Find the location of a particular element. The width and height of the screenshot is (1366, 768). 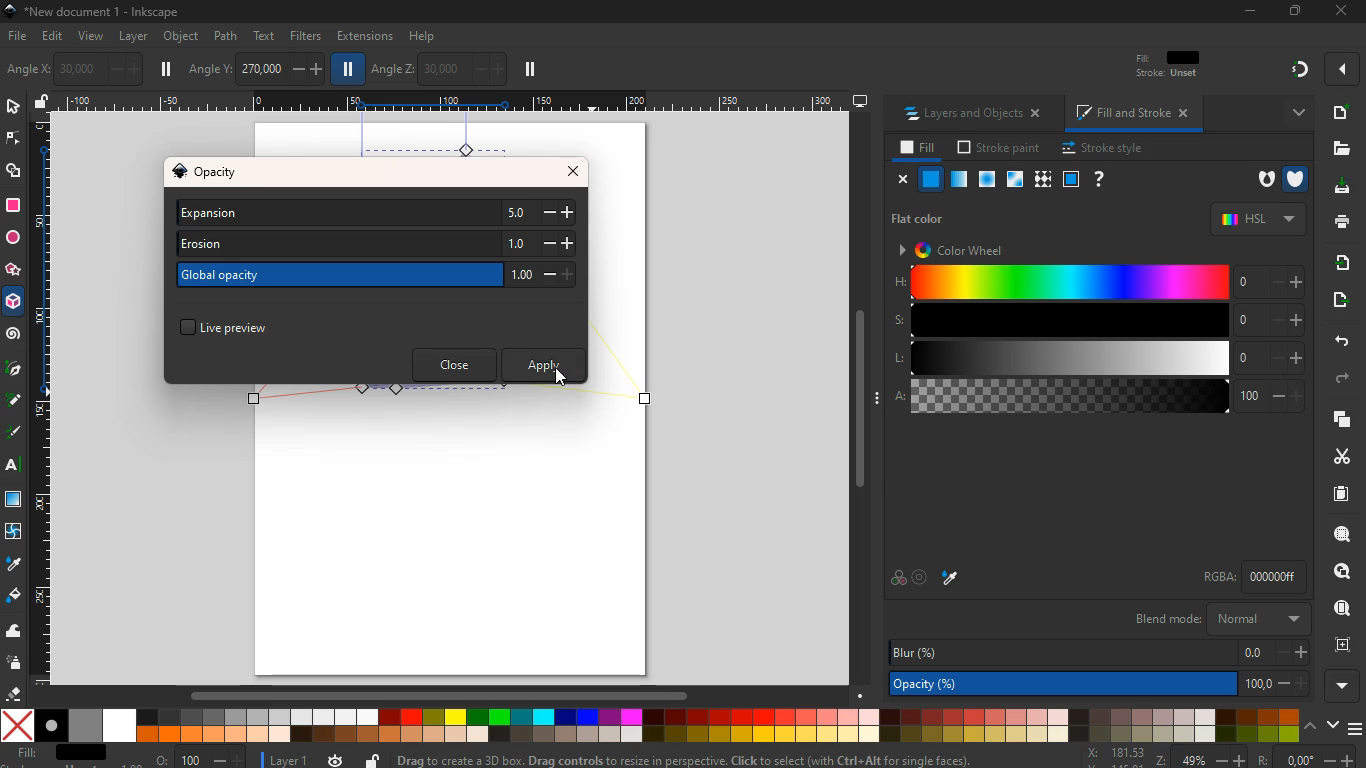

hsl is located at coordinates (1256, 219).